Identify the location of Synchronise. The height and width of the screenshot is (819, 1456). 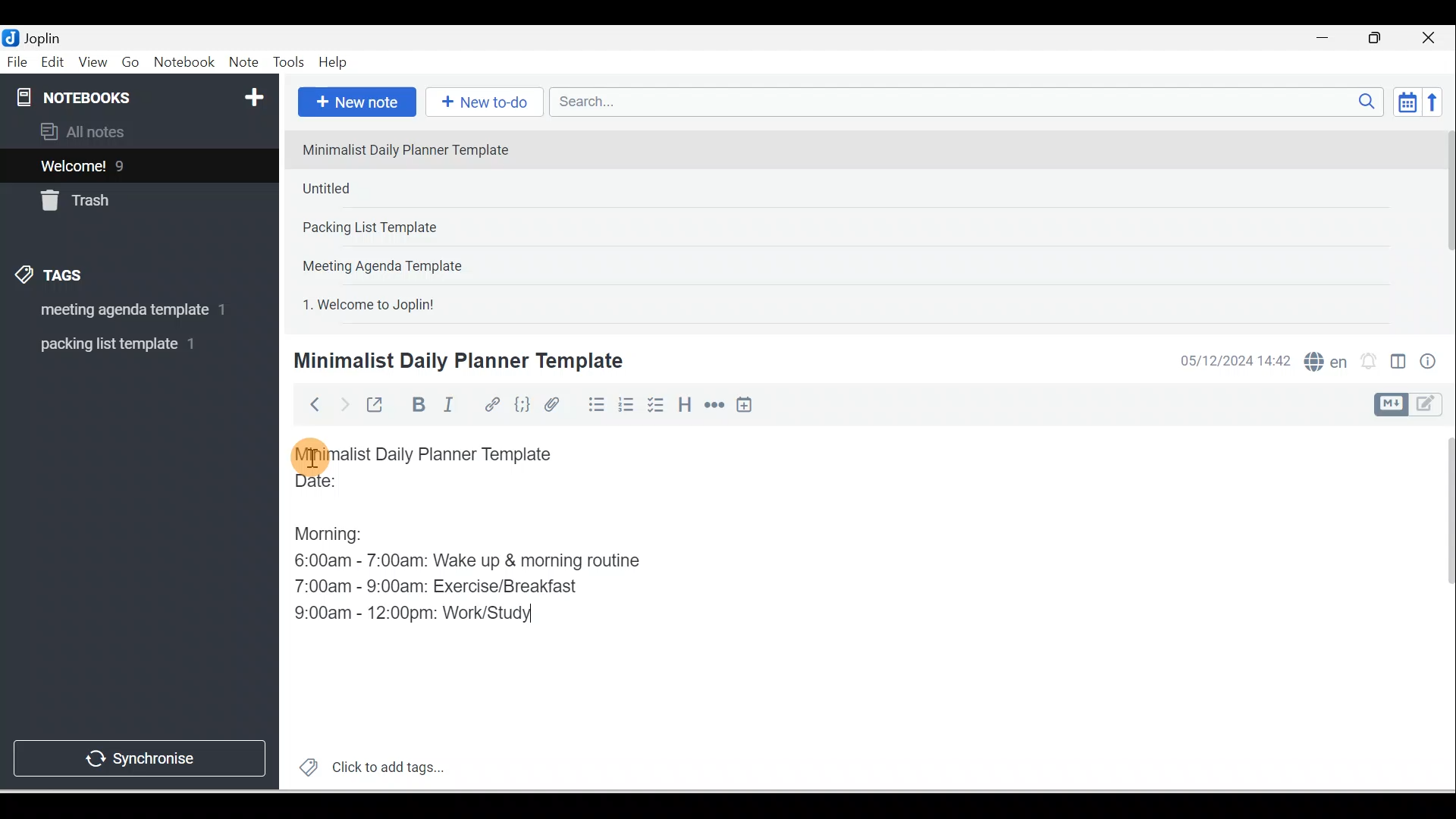
(138, 755).